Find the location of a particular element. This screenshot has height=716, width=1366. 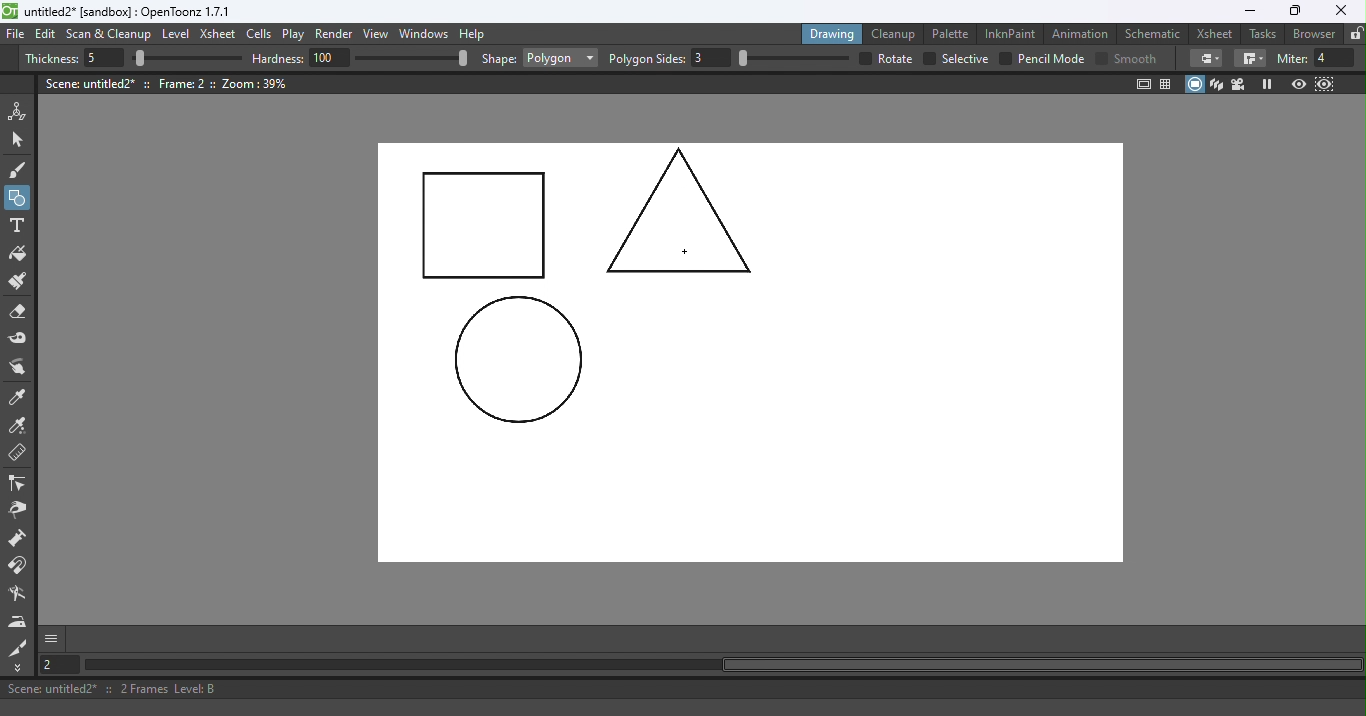

checkbox is located at coordinates (863, 58).